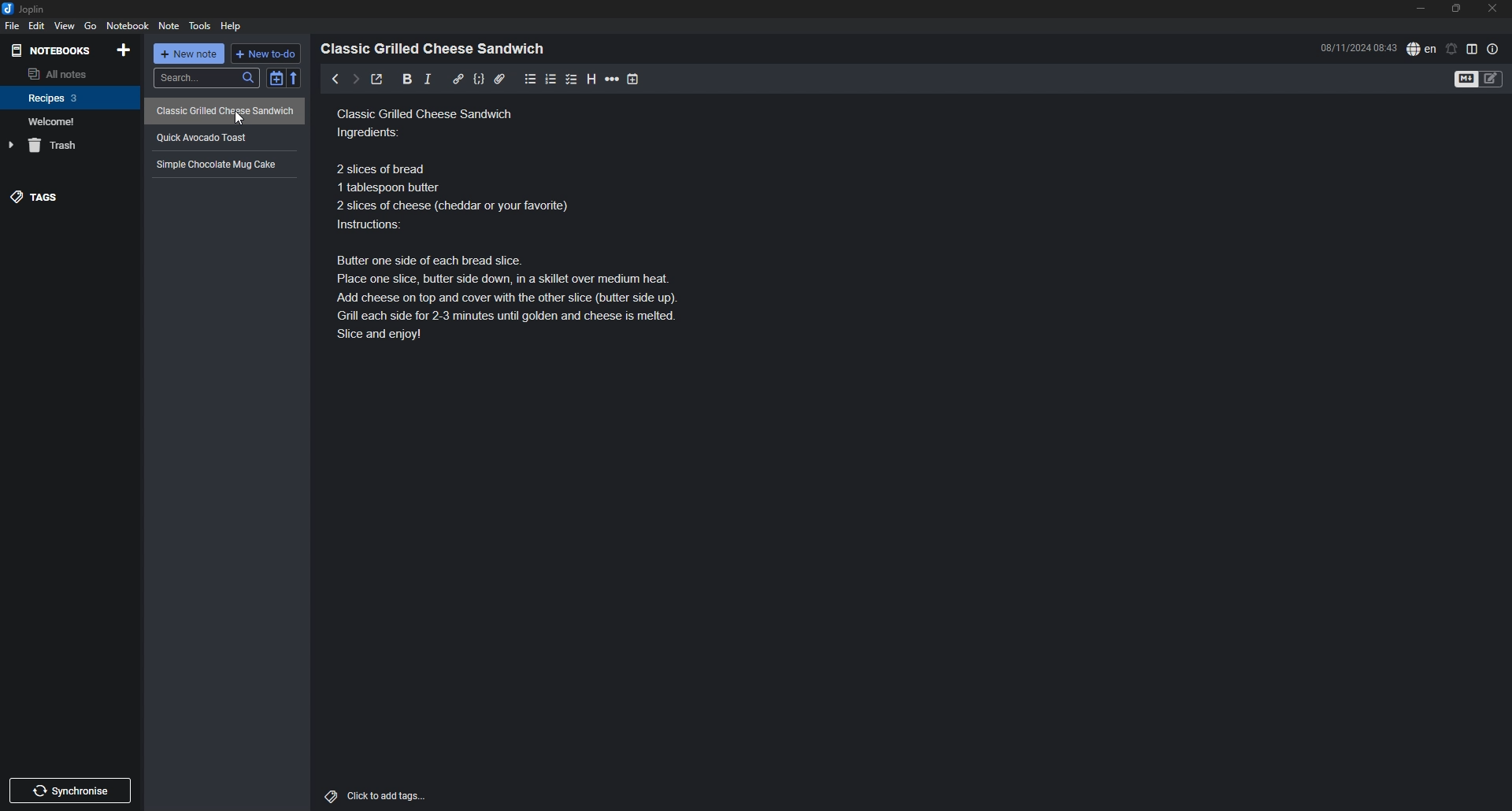 This screenshot has width=1512, height=811. Describe the element at coordinates (68, 73) in the screenshot. I see `all notes` at that location.